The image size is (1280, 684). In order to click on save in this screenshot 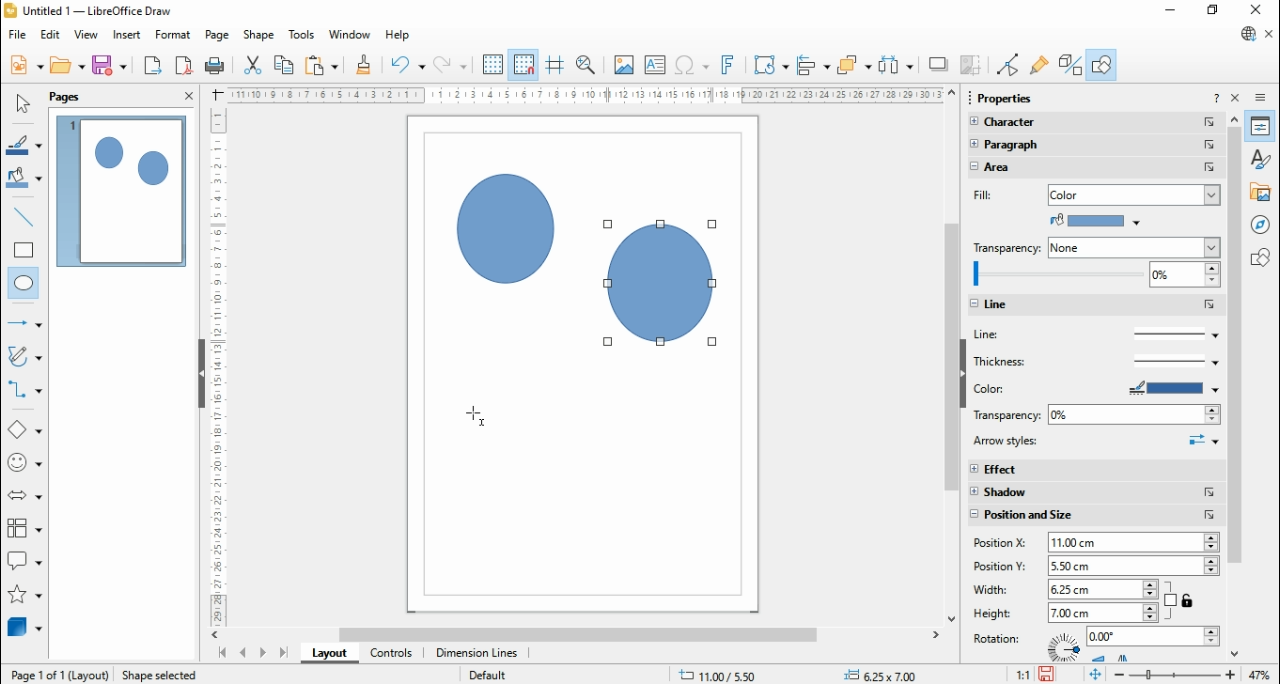, I will do `click(1049, 674)`.